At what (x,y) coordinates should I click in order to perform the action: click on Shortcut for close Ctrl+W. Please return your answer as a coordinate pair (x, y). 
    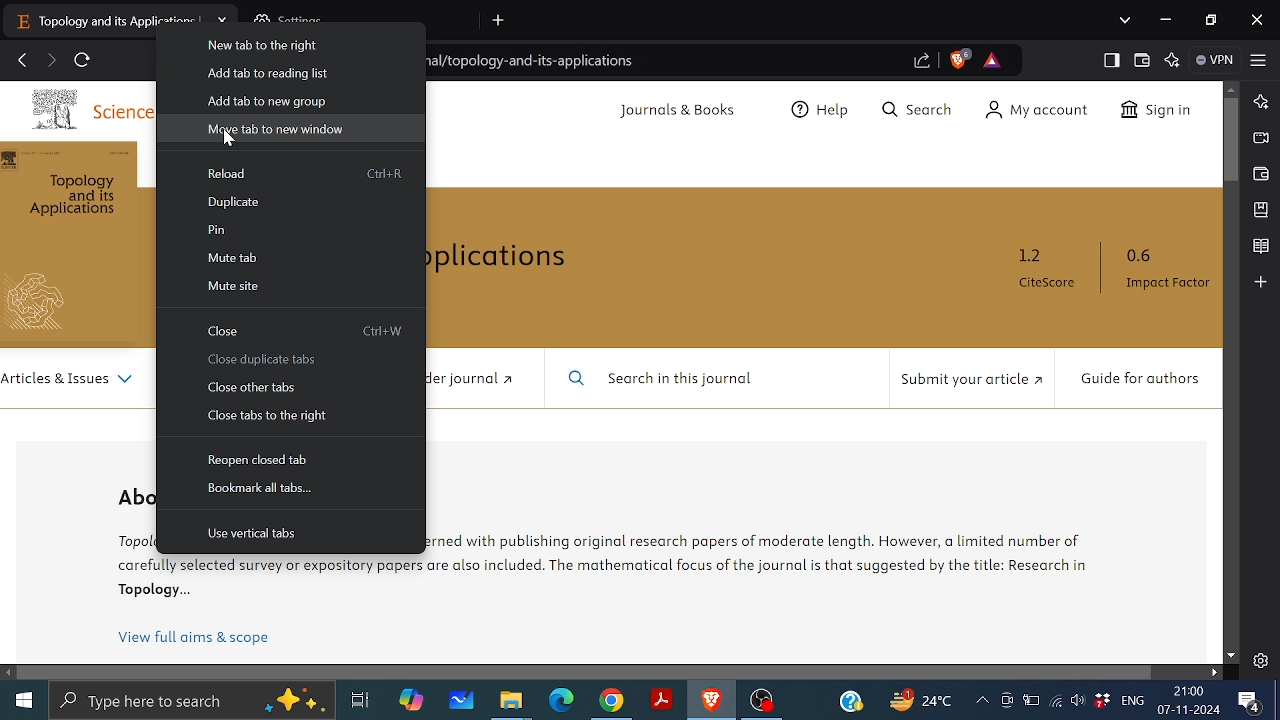
    Looking at the image, I should click on (385, 331).